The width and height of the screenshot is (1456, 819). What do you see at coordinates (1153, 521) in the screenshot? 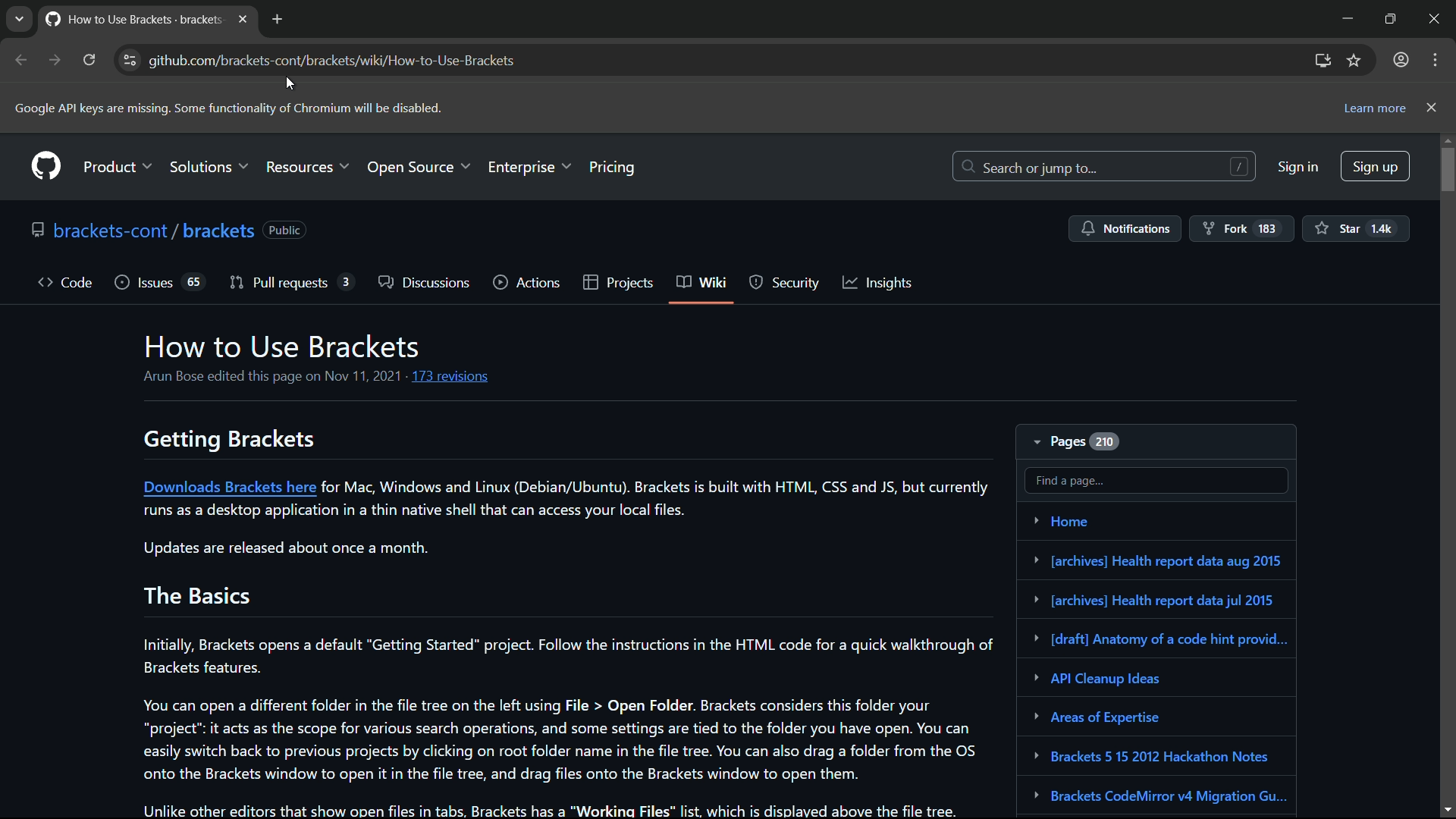
I see `Home` at bounding box center [1153, 521].